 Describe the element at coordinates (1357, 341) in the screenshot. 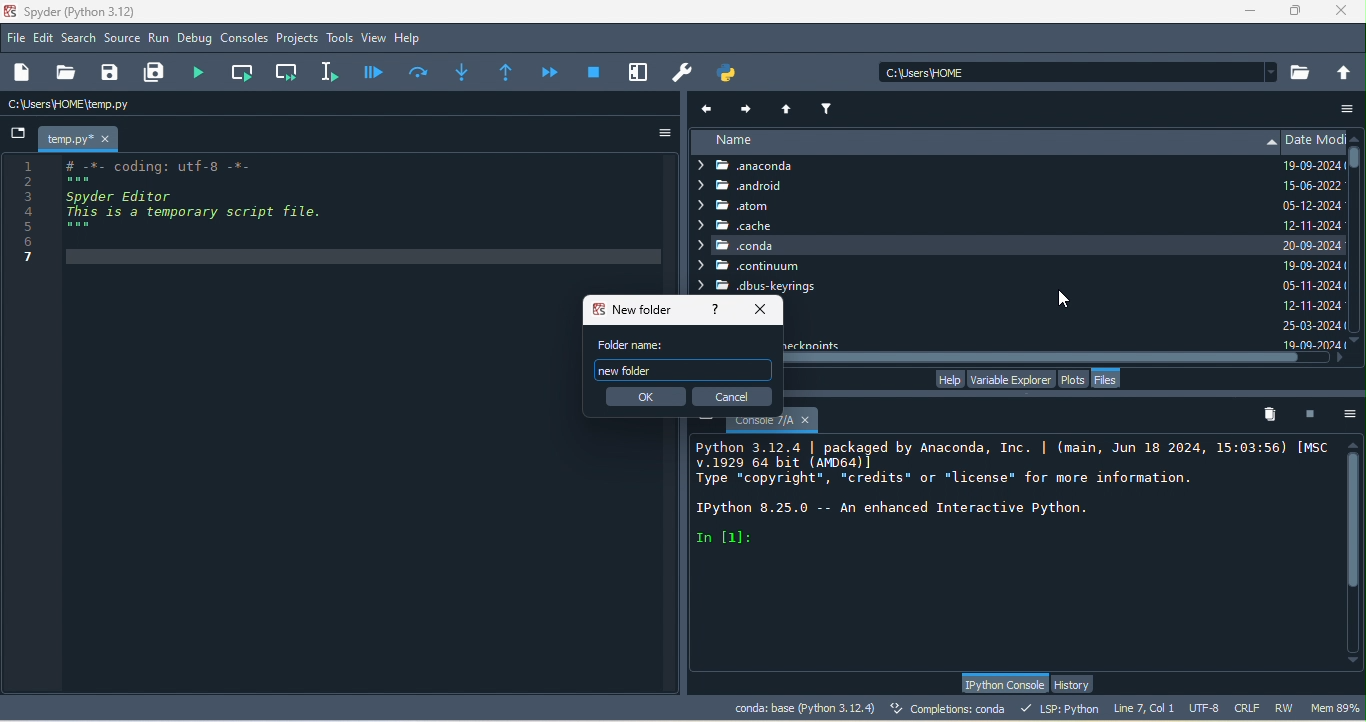

I see `scroll down` at that location.